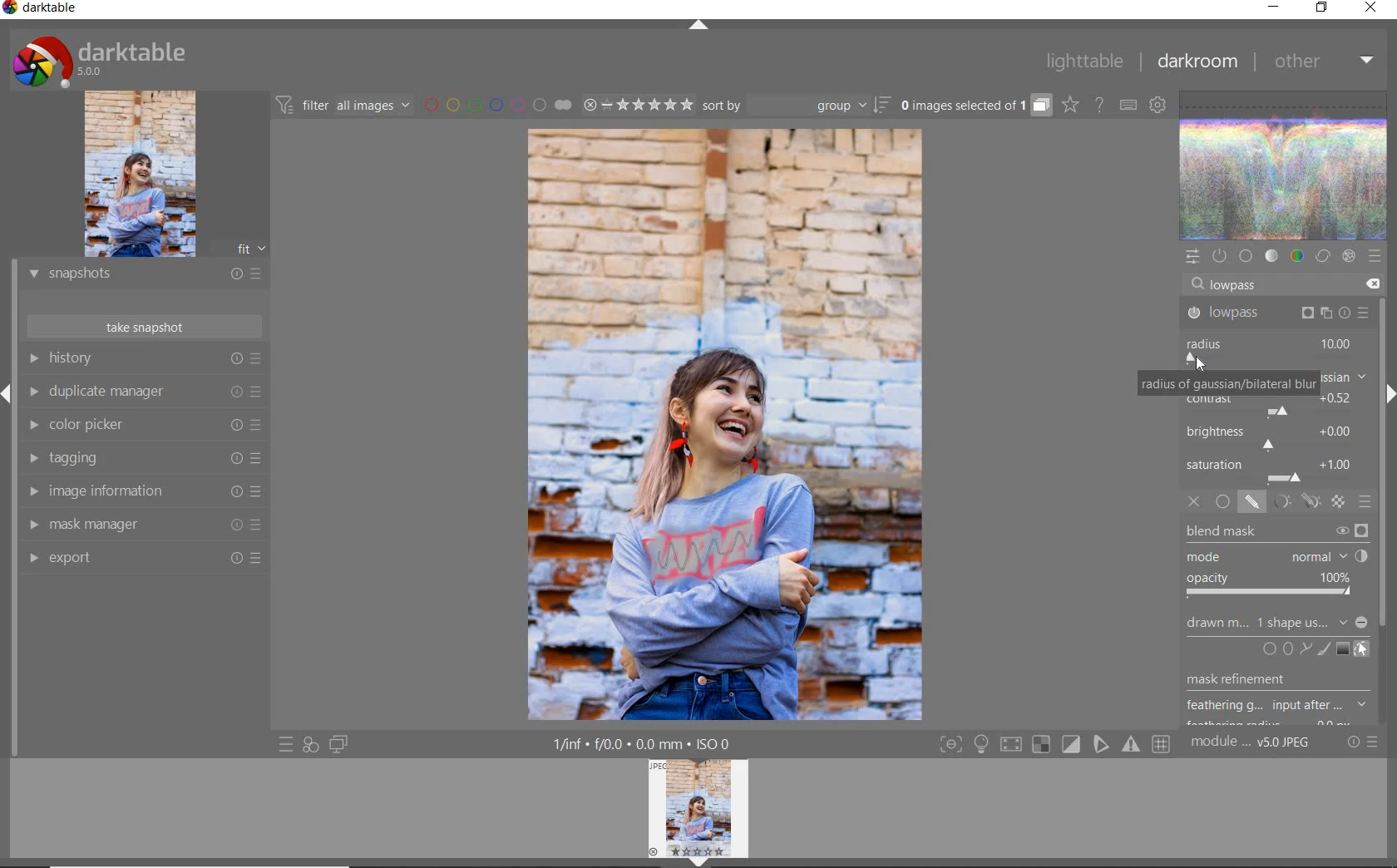  I want to click on saturation, so click(1275, 470).